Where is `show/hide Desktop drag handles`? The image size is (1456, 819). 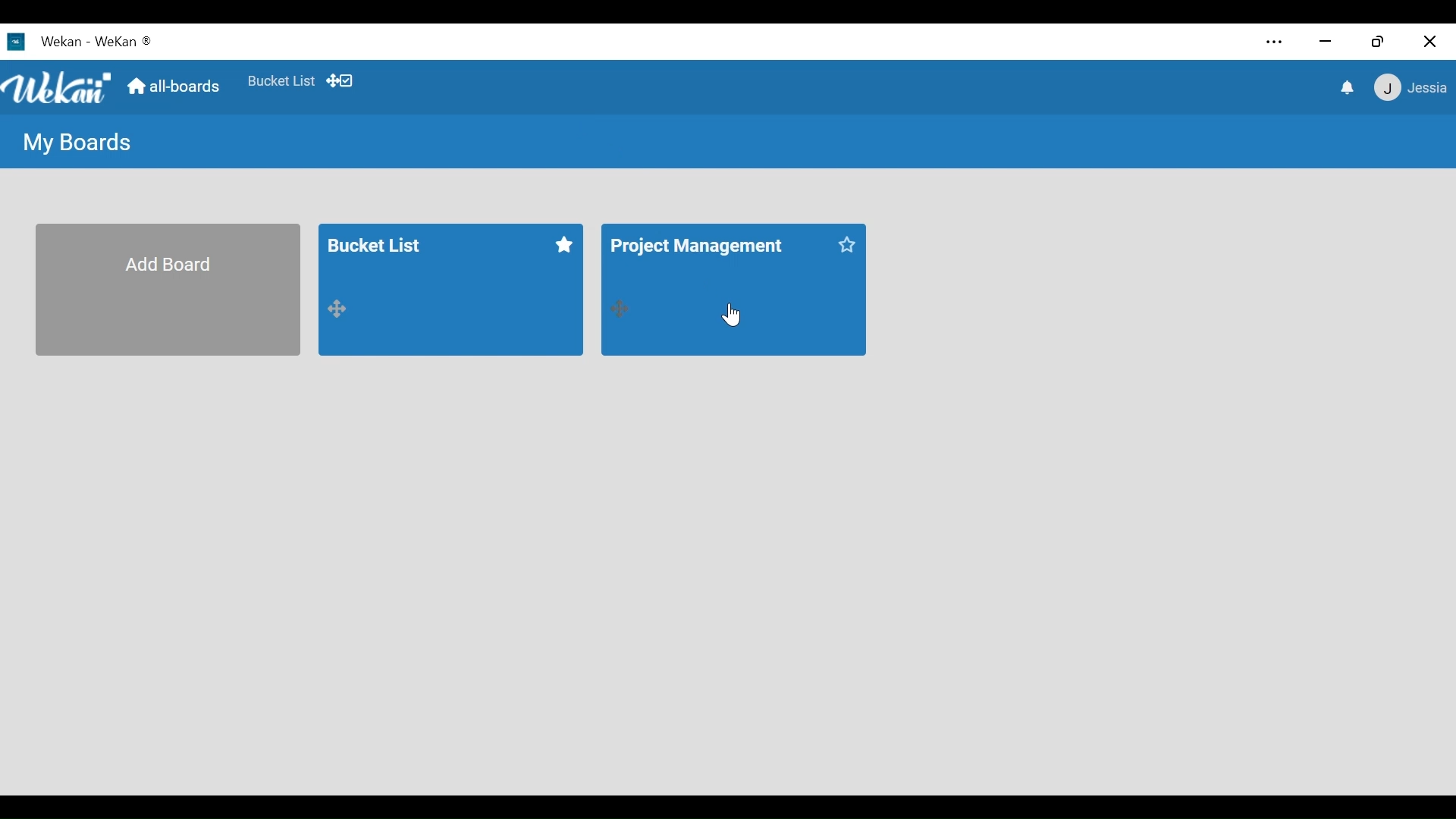 show/hide Desktop drag handles is located at coordinates (340, 80).